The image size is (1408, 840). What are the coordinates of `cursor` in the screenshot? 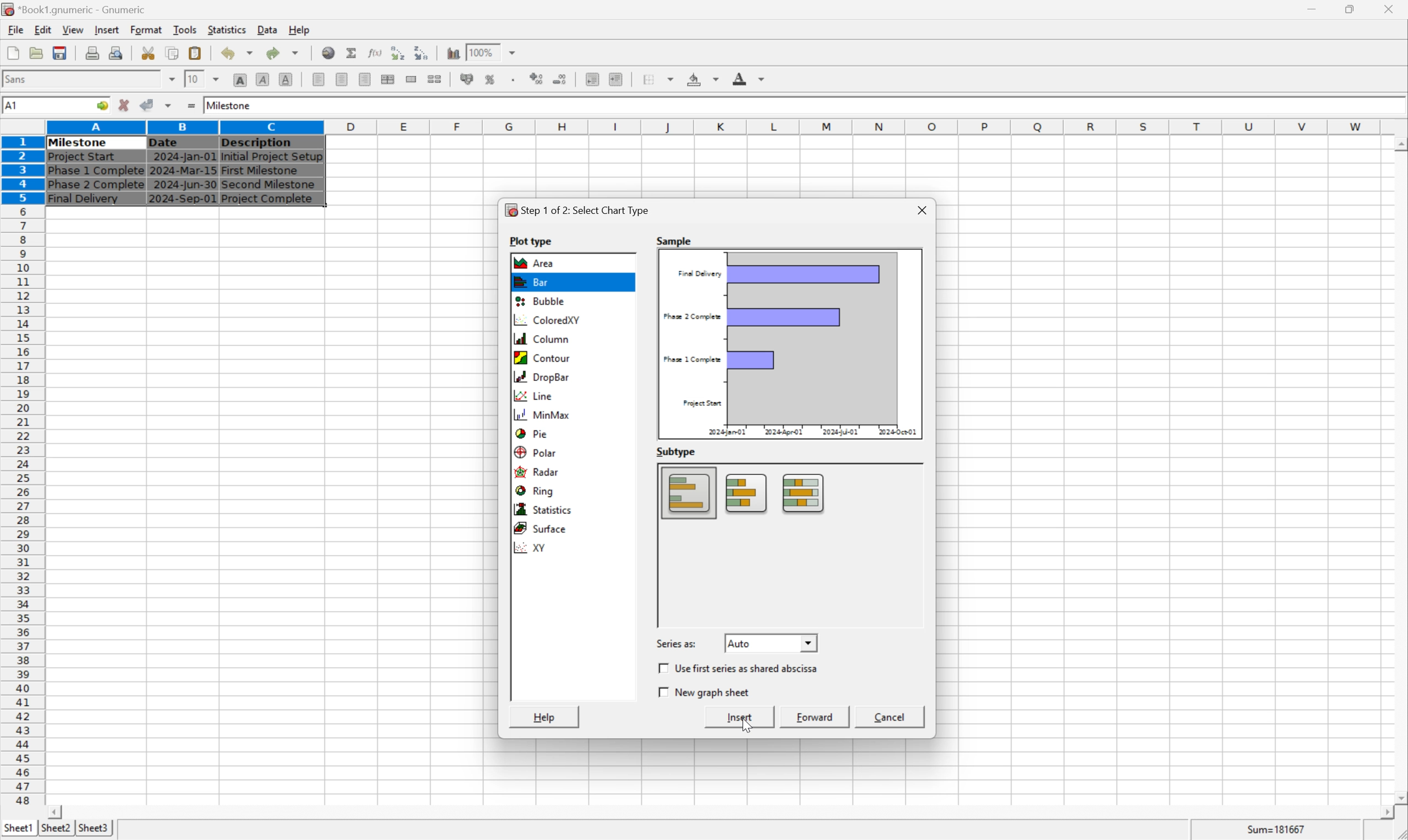 It's located at (744, 725).